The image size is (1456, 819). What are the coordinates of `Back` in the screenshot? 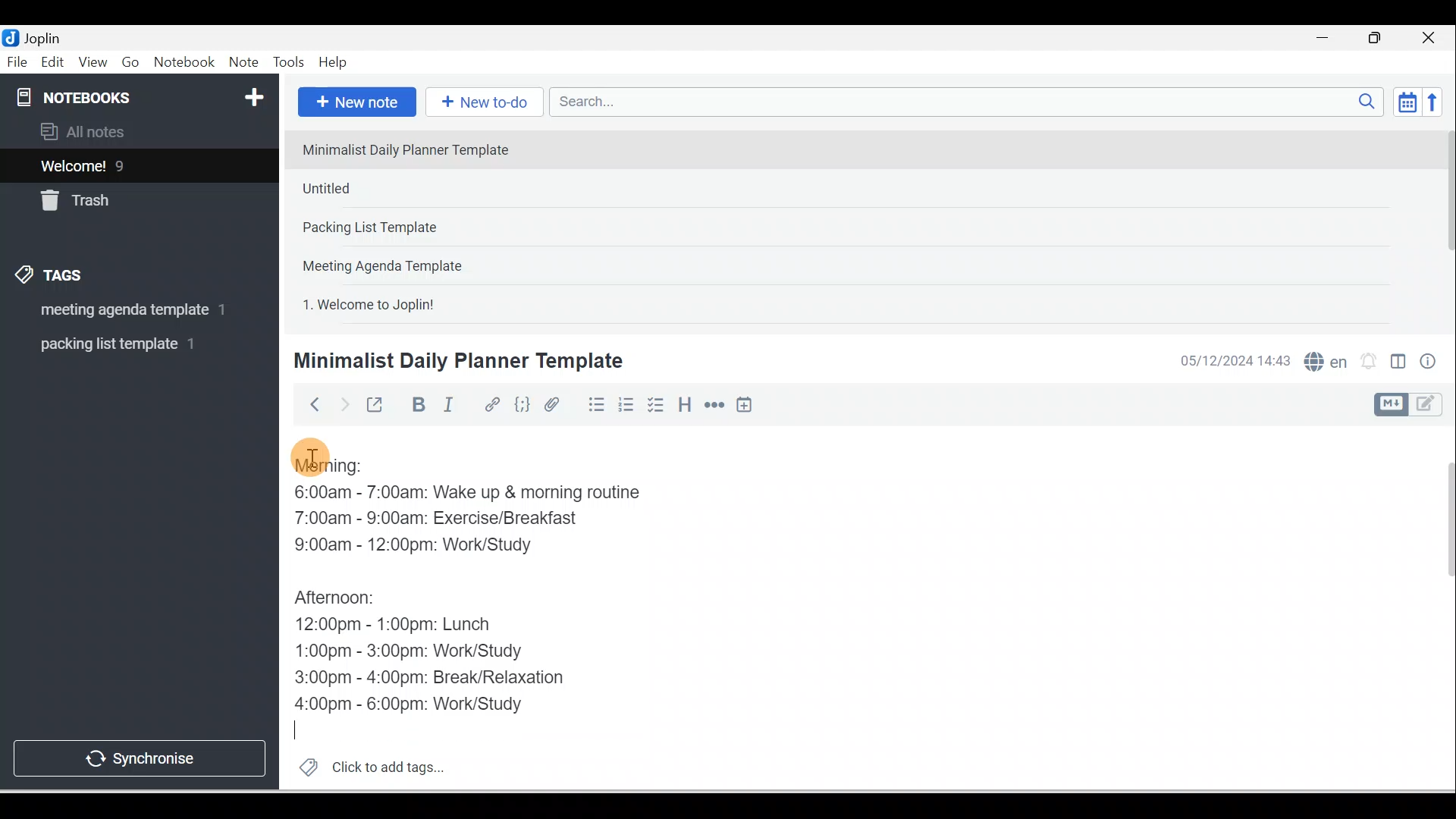 It's located at (308, 404).